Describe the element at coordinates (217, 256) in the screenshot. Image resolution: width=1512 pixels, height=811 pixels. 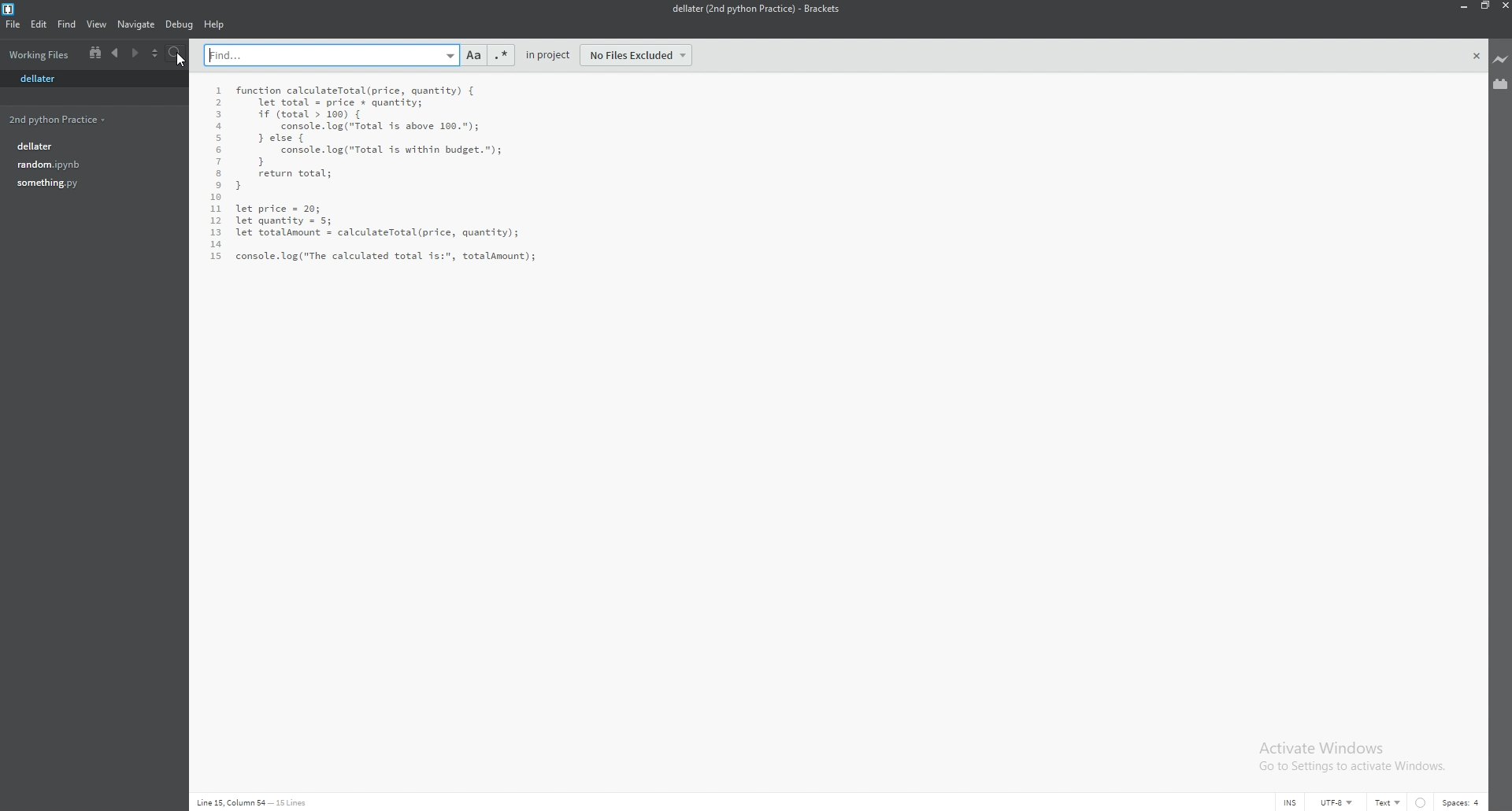
I see `15` at that location.